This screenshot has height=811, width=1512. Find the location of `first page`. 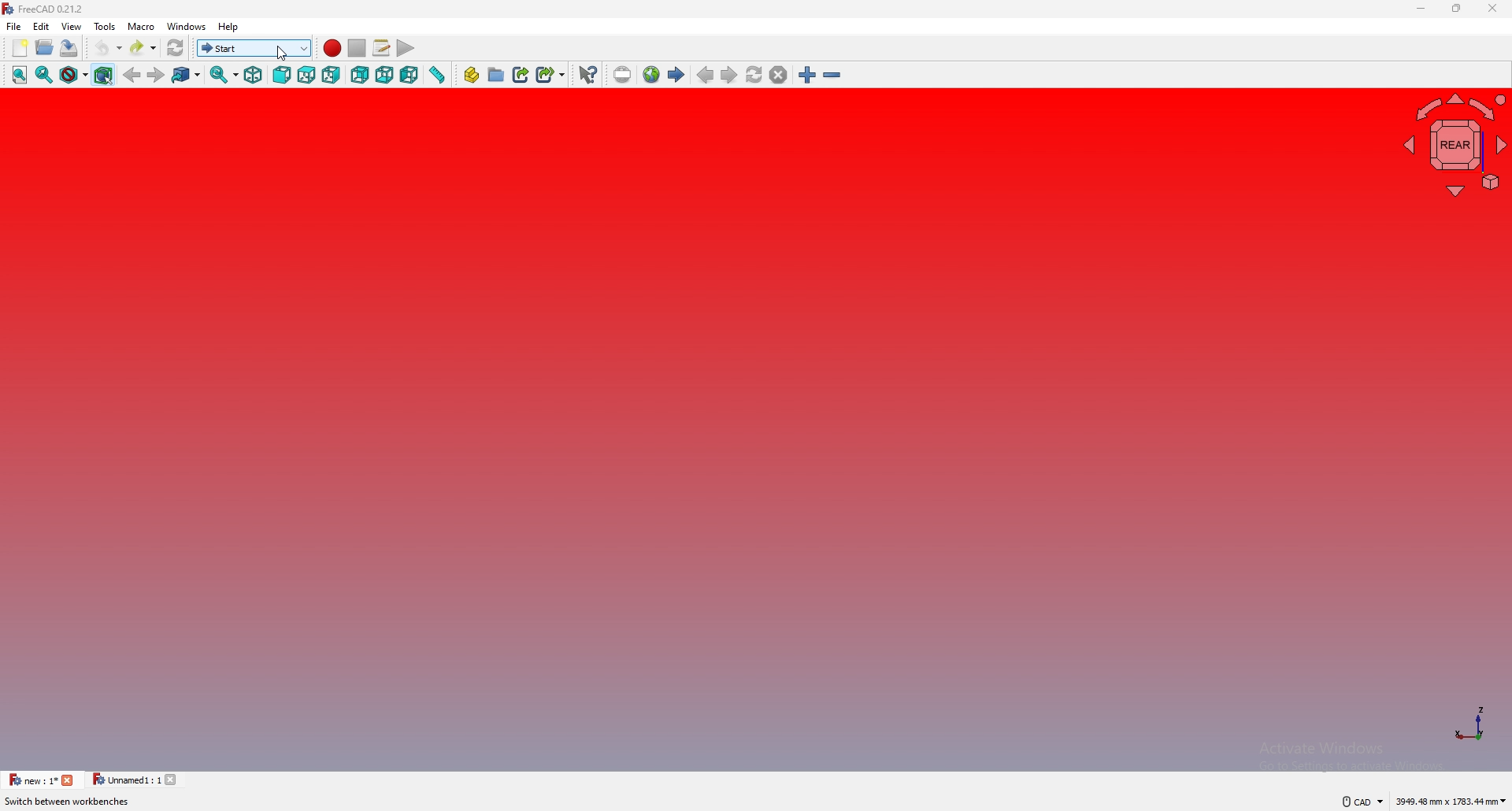

first page is located at coordinates (676, 74).